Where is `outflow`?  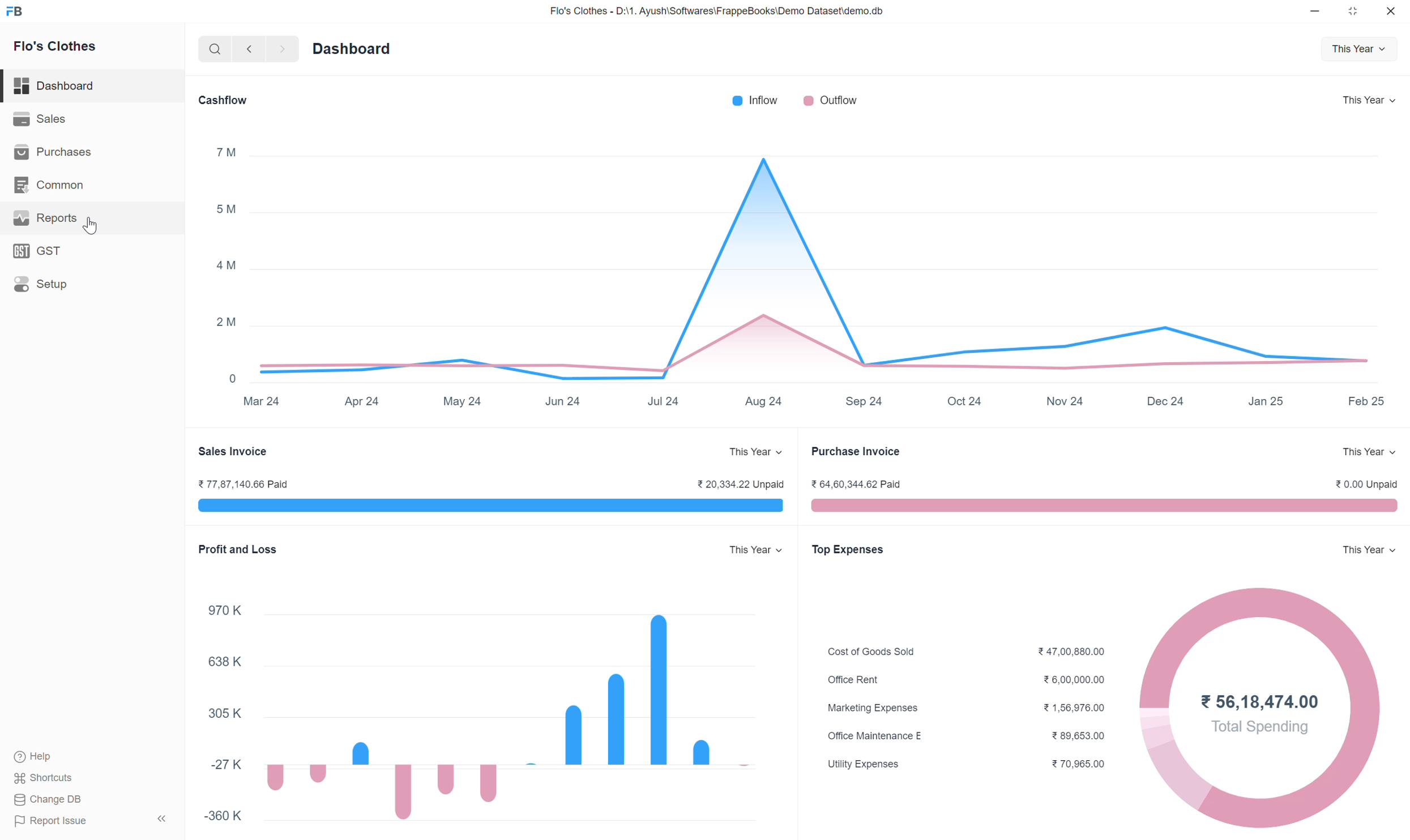
outflow is located at coordinates (830, 100).